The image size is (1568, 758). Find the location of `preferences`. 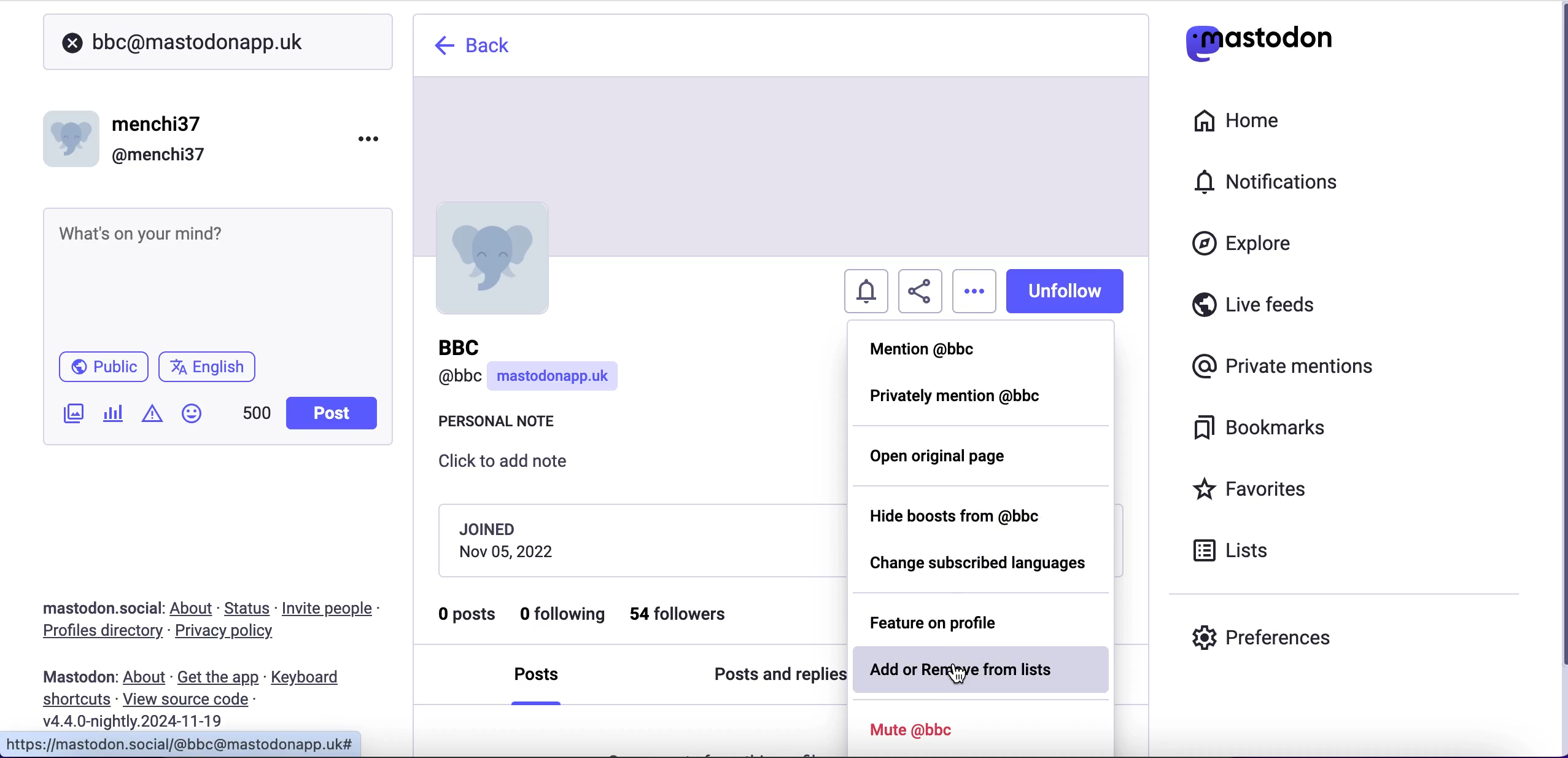

preferences is located at coordinates (1262, 637).